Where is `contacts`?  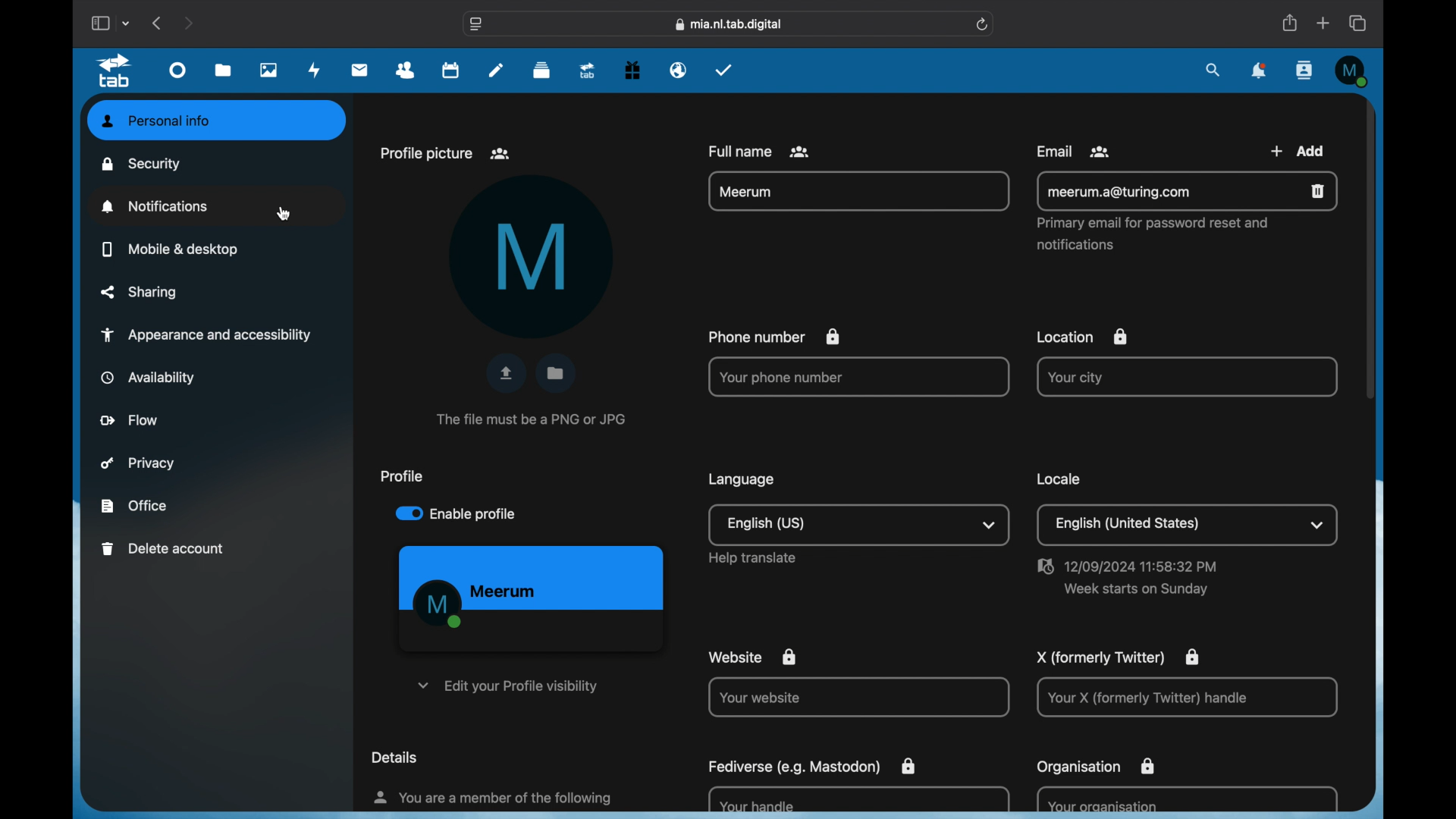
contacts is located at coordinates (1306, 71).